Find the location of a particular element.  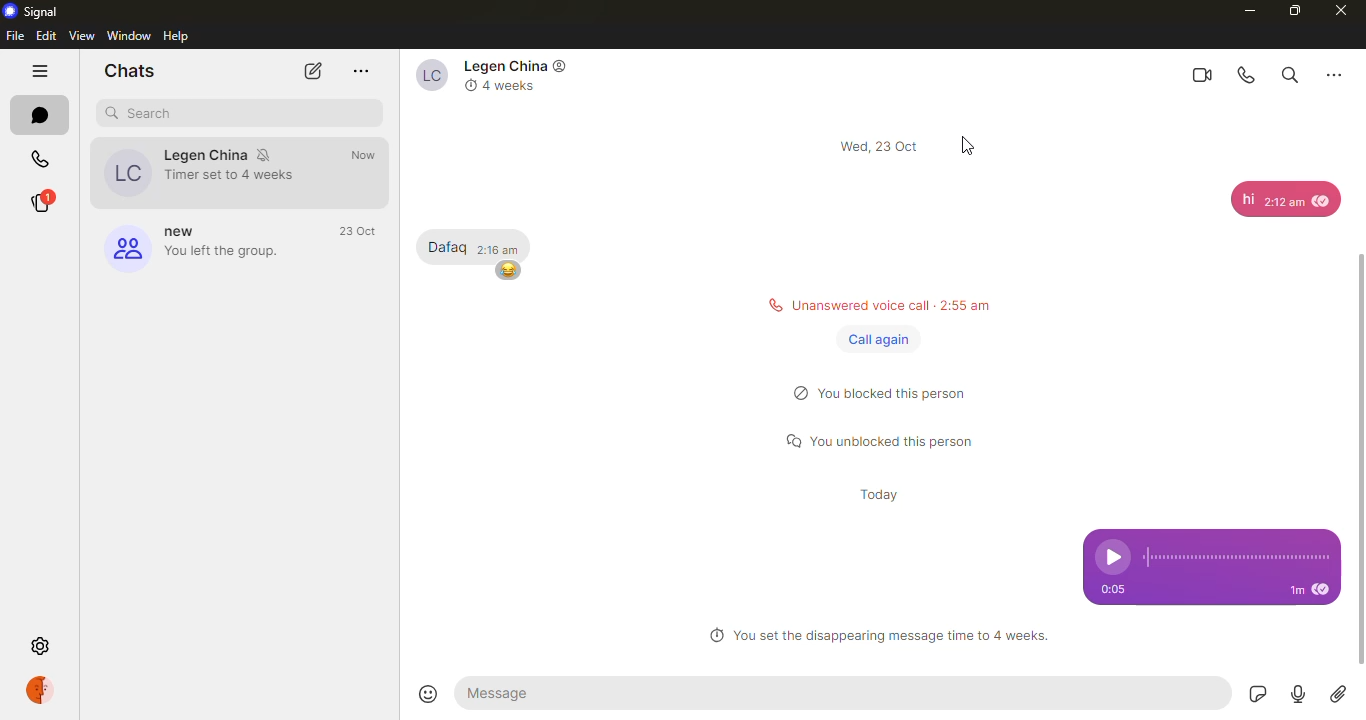

disappearing messages set for 4 weeks is located at coordinates (879, 634).